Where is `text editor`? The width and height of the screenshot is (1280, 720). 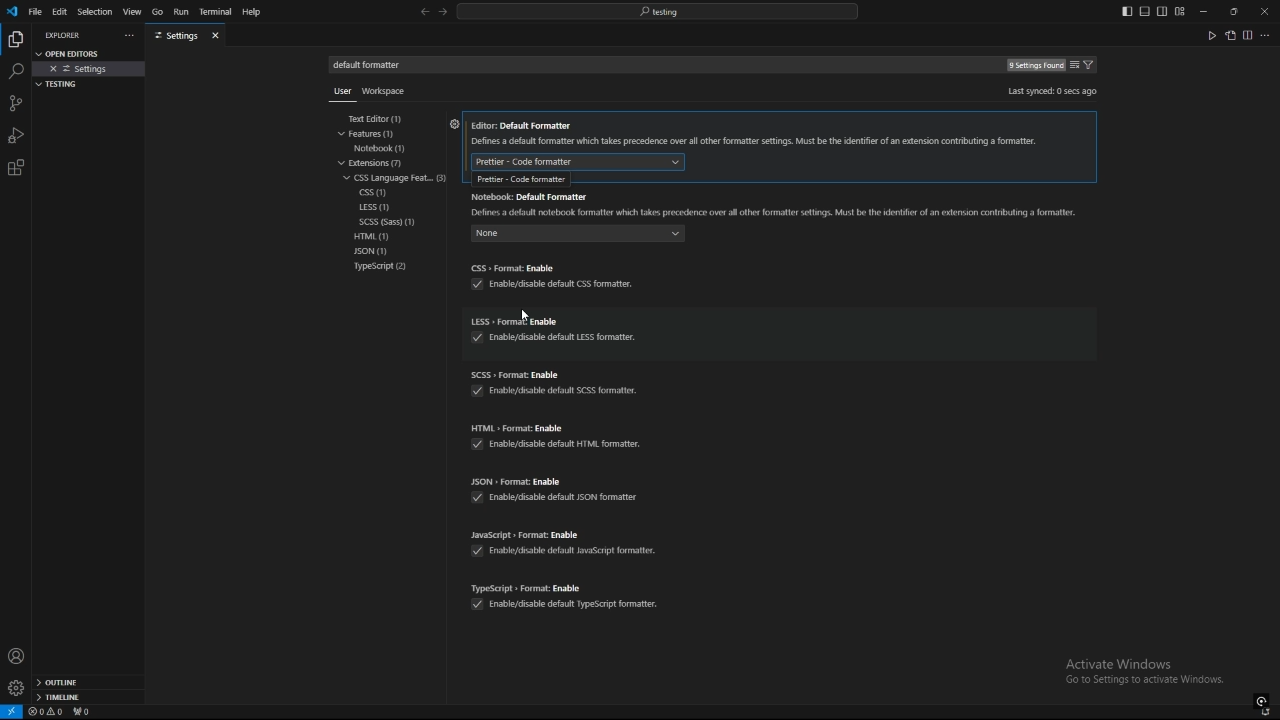
text editor is located at coordinates (384, 119).